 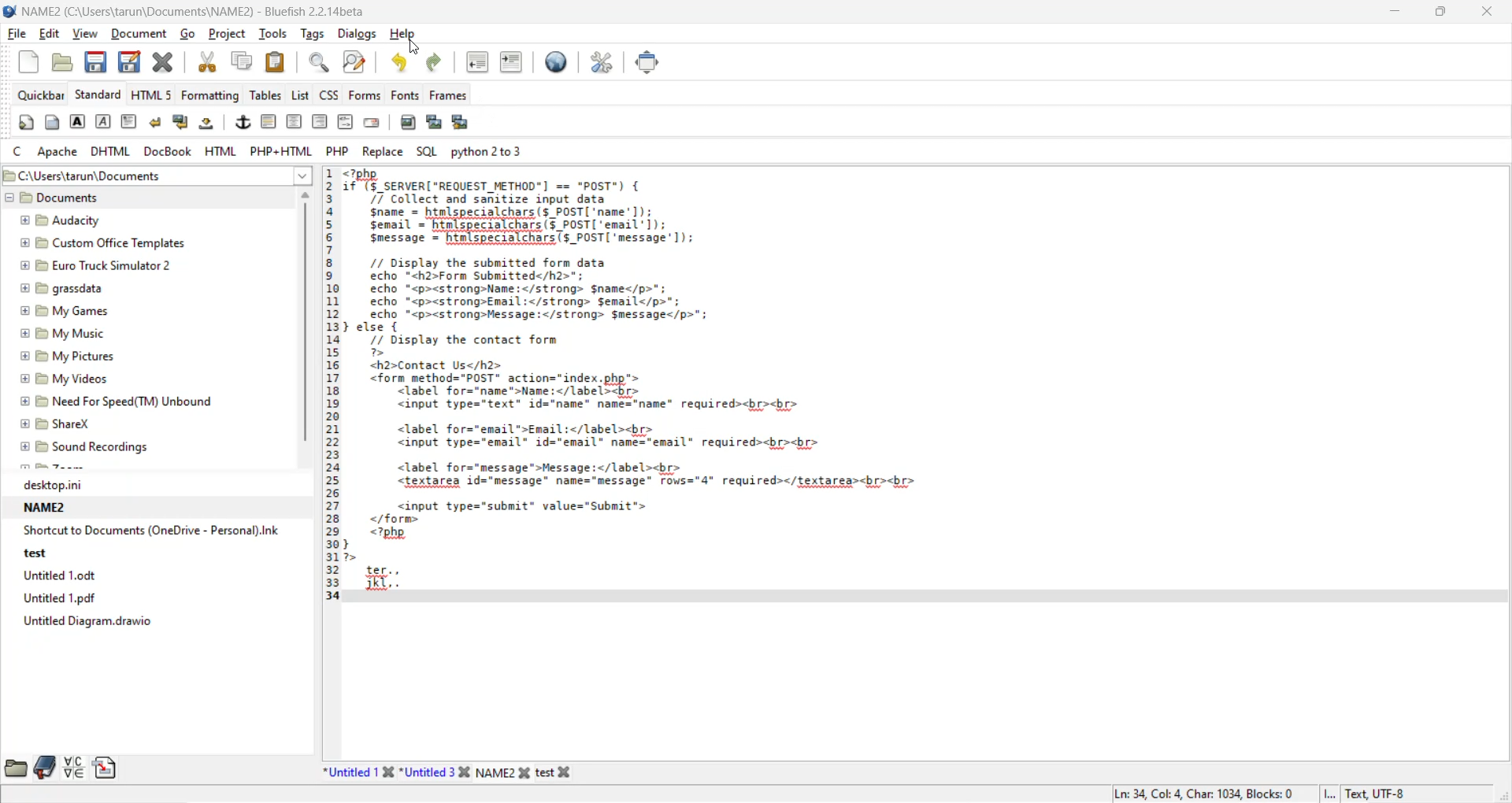 What do you see at coordinates (165, 62) in the screenshot?
I see `close file` at bounding box center [165, 62].